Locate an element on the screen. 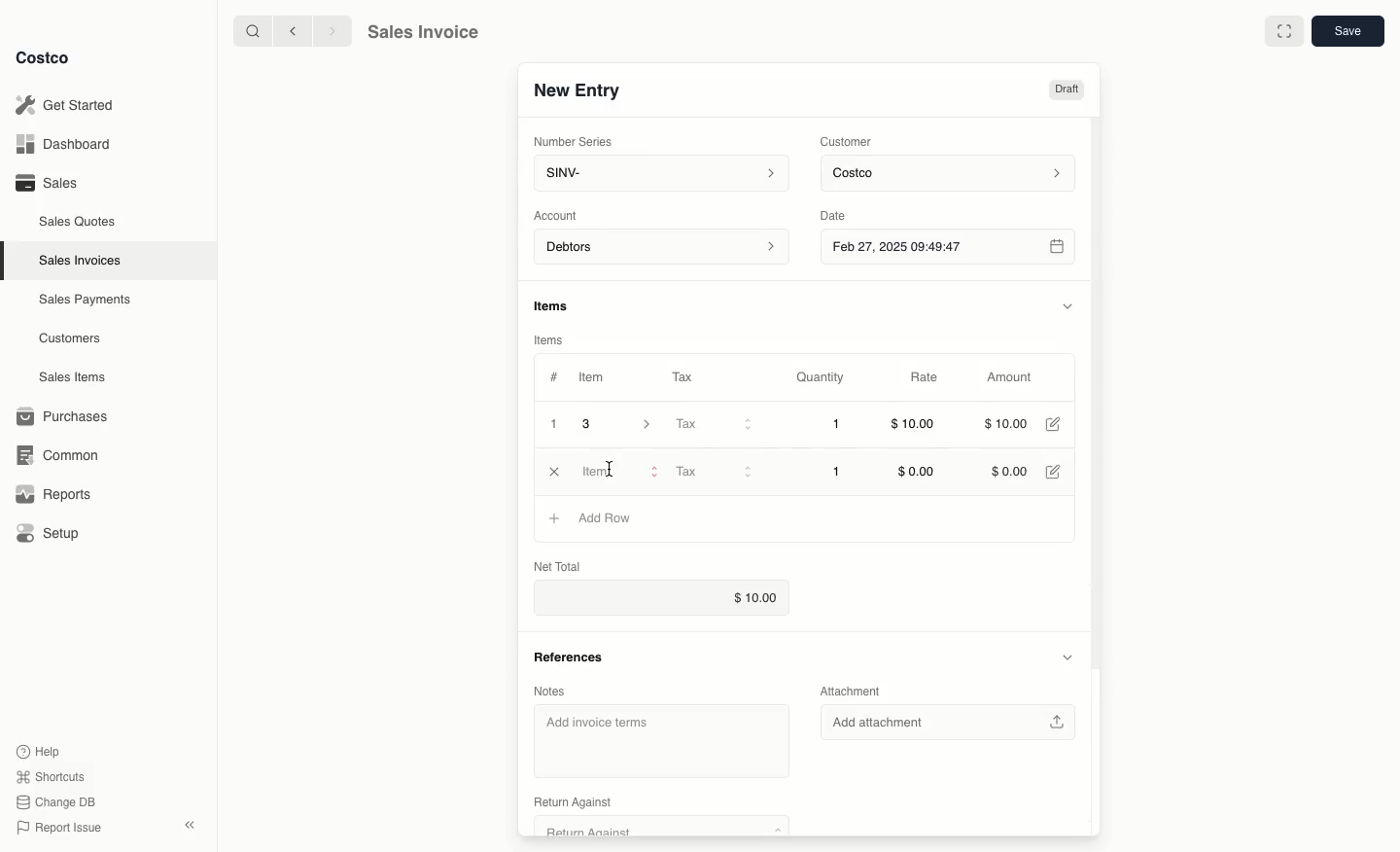 This screenshot has width=1400, height=852. $0.00 is located at coordinates (918, 472).